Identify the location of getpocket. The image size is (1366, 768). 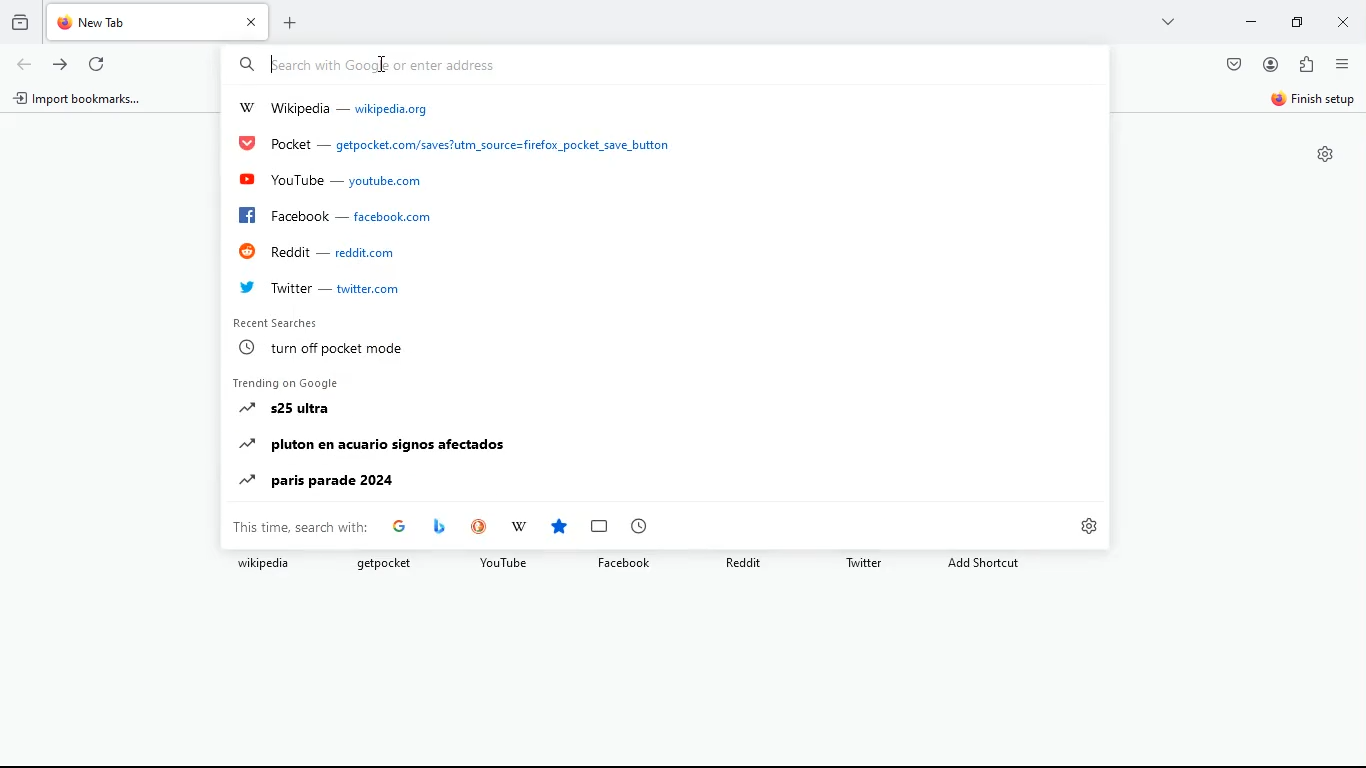
(383, 563).